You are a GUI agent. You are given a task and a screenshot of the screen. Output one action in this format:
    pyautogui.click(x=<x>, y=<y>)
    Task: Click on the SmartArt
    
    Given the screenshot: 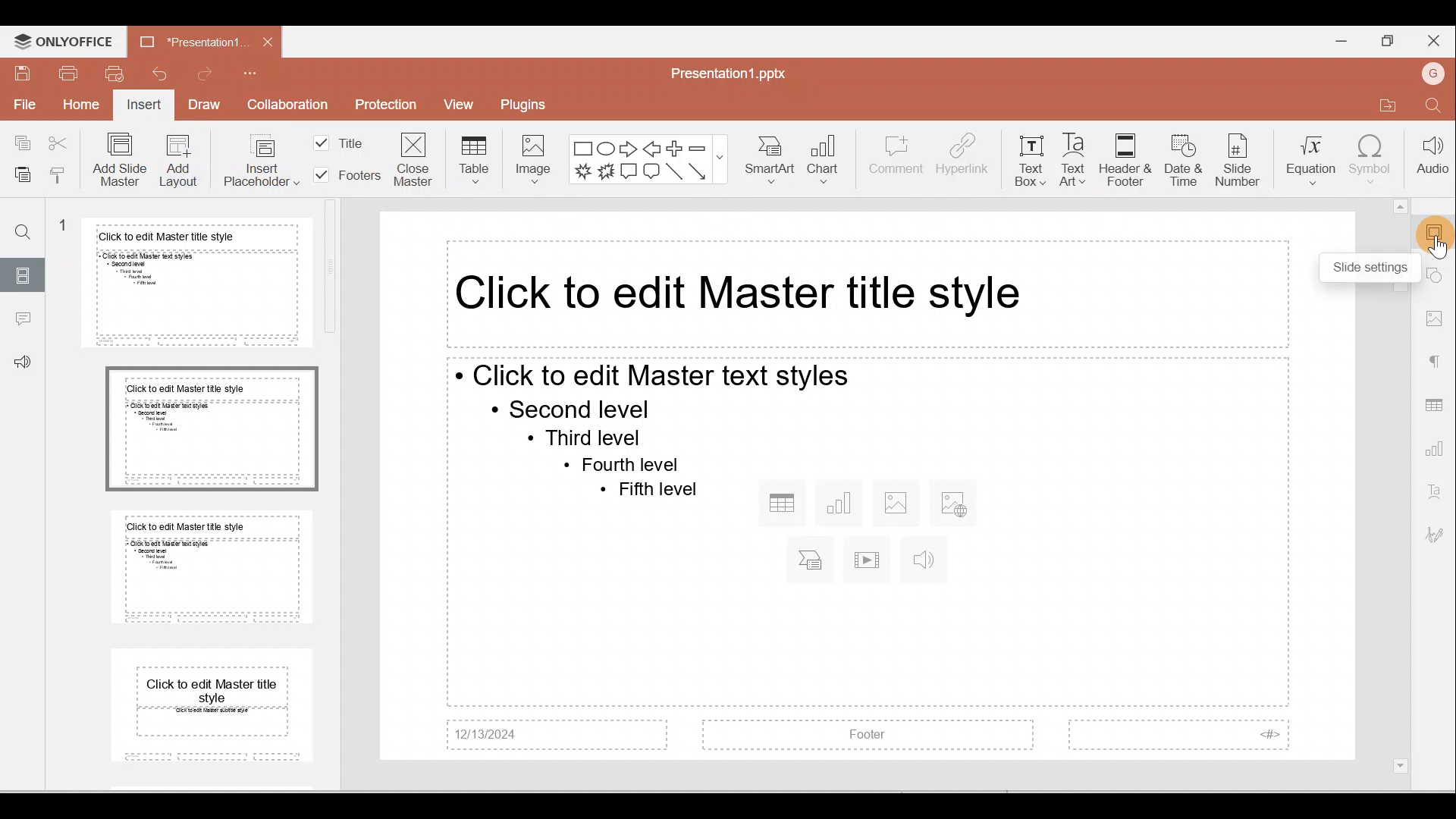 What is the action you would take?
    pyautogui.click(x=772, y=158)
    